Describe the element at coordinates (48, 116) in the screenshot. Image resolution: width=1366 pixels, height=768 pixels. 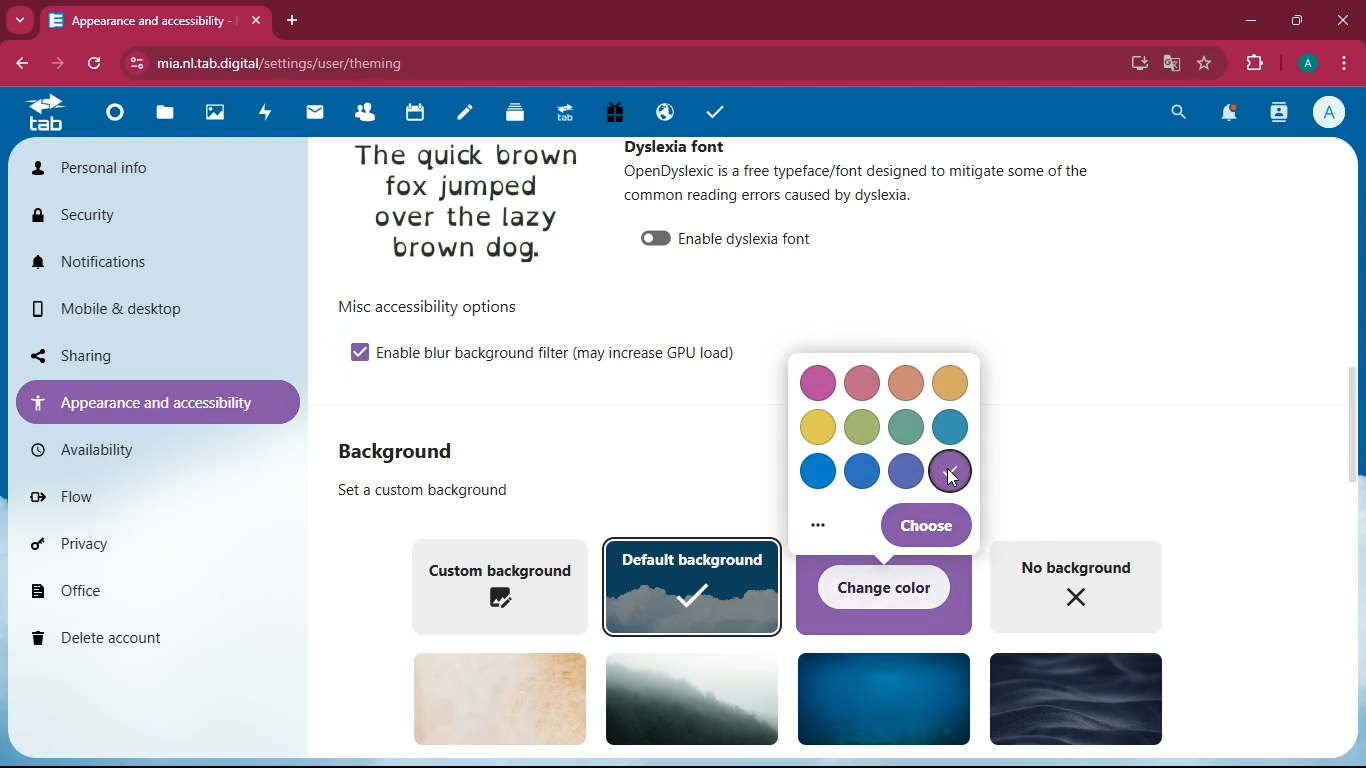
I see `tab` at that location.